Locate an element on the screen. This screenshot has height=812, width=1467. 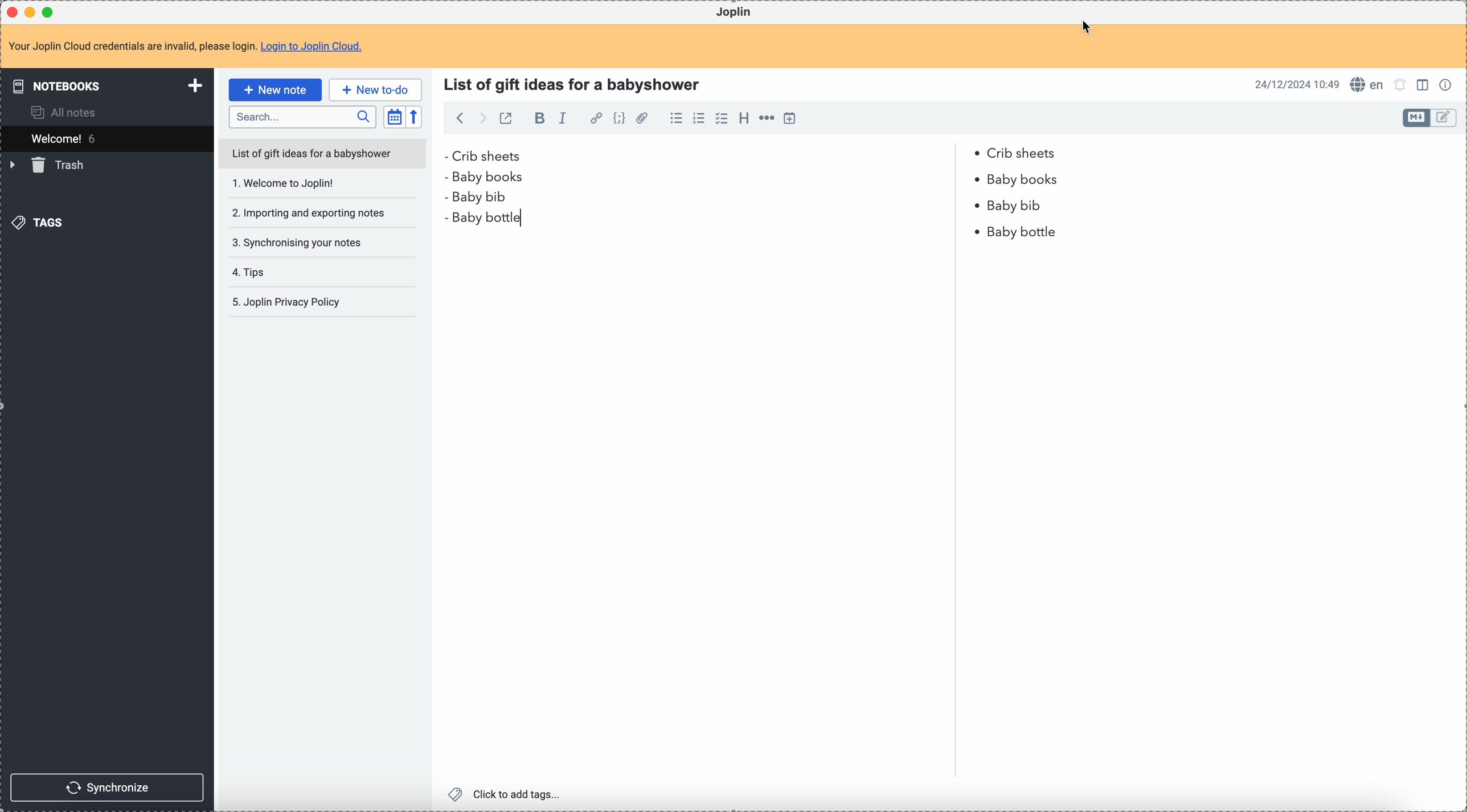
bullet point is located at coordinates (448, 175).